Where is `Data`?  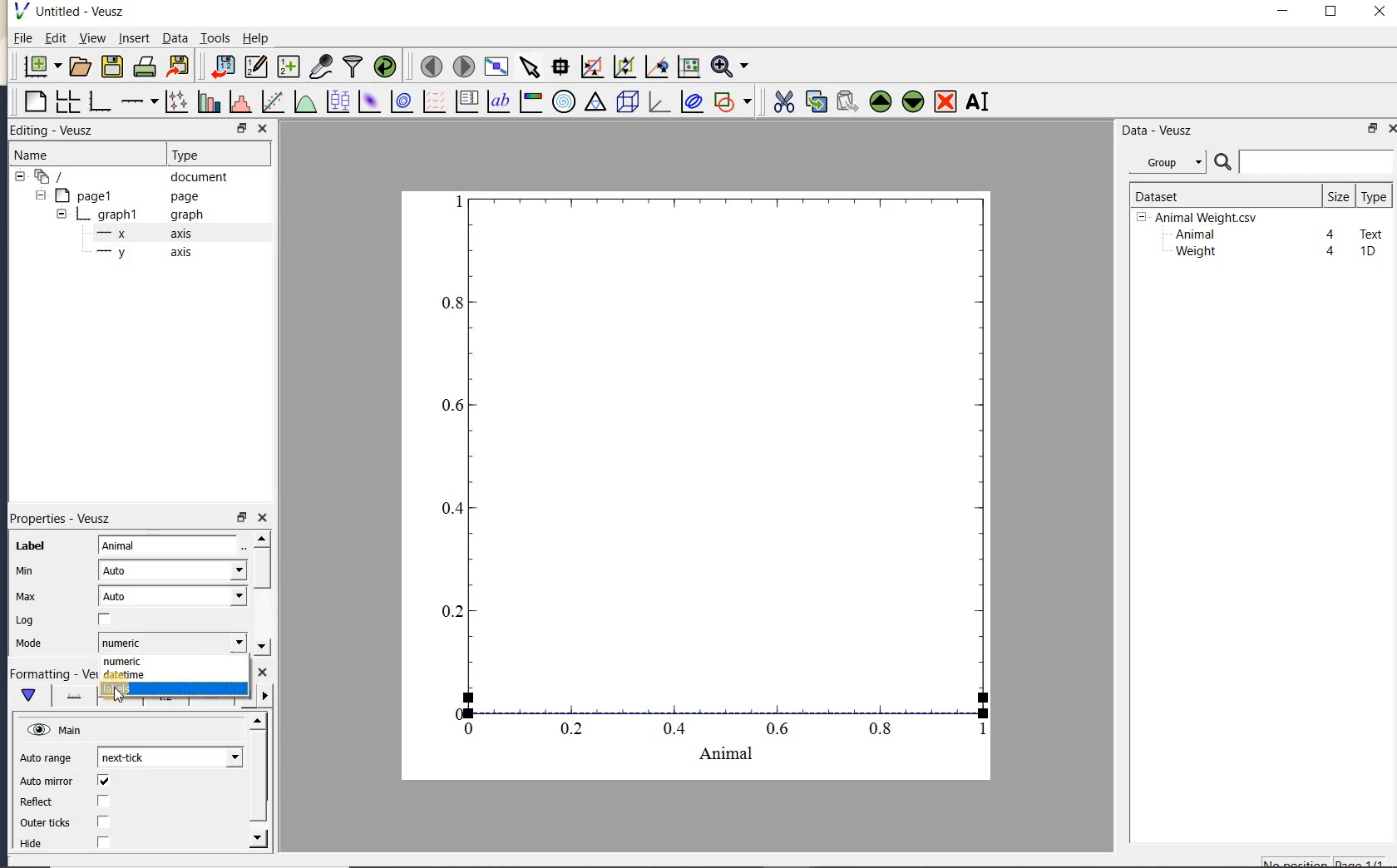
Data is located at coordinates (175, 37).